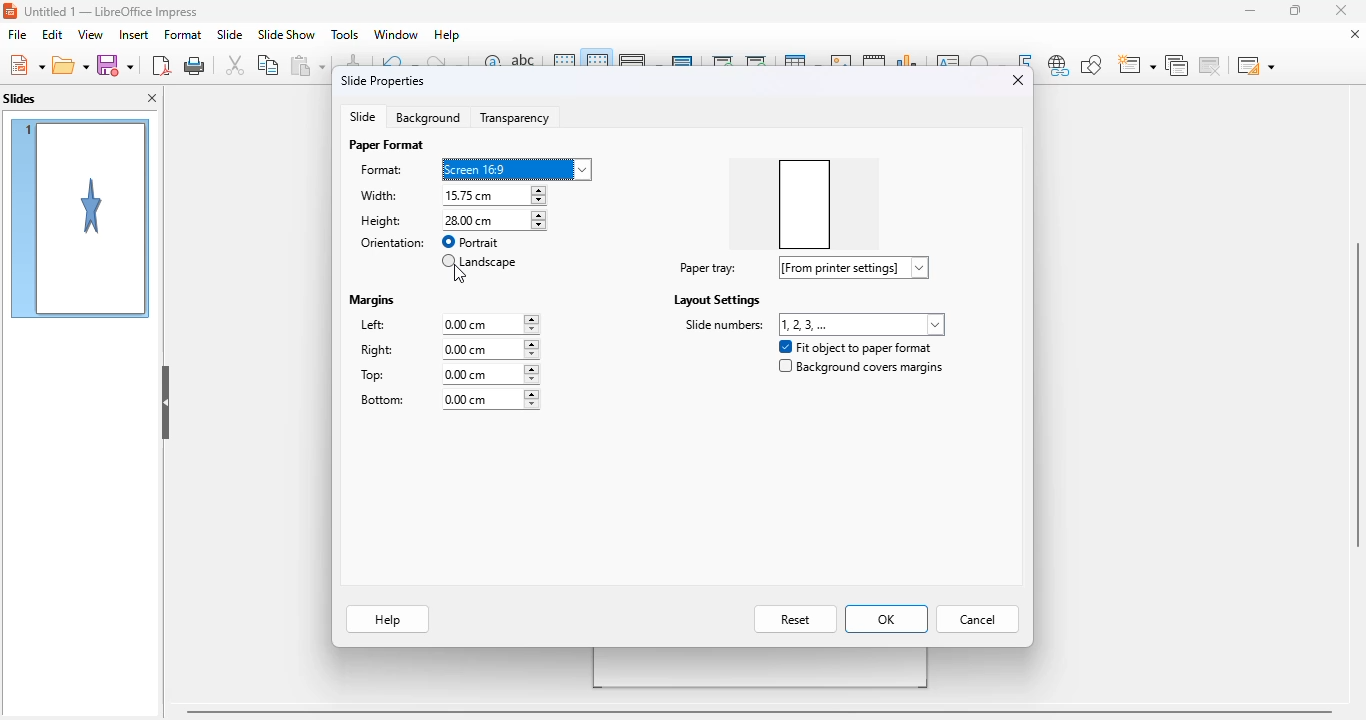 The height and width of the screenshot is (720, 1366). What do you see at coordinates (470, 242) in the screenshot?
I see `portrait` at bounding box center [470, 242].